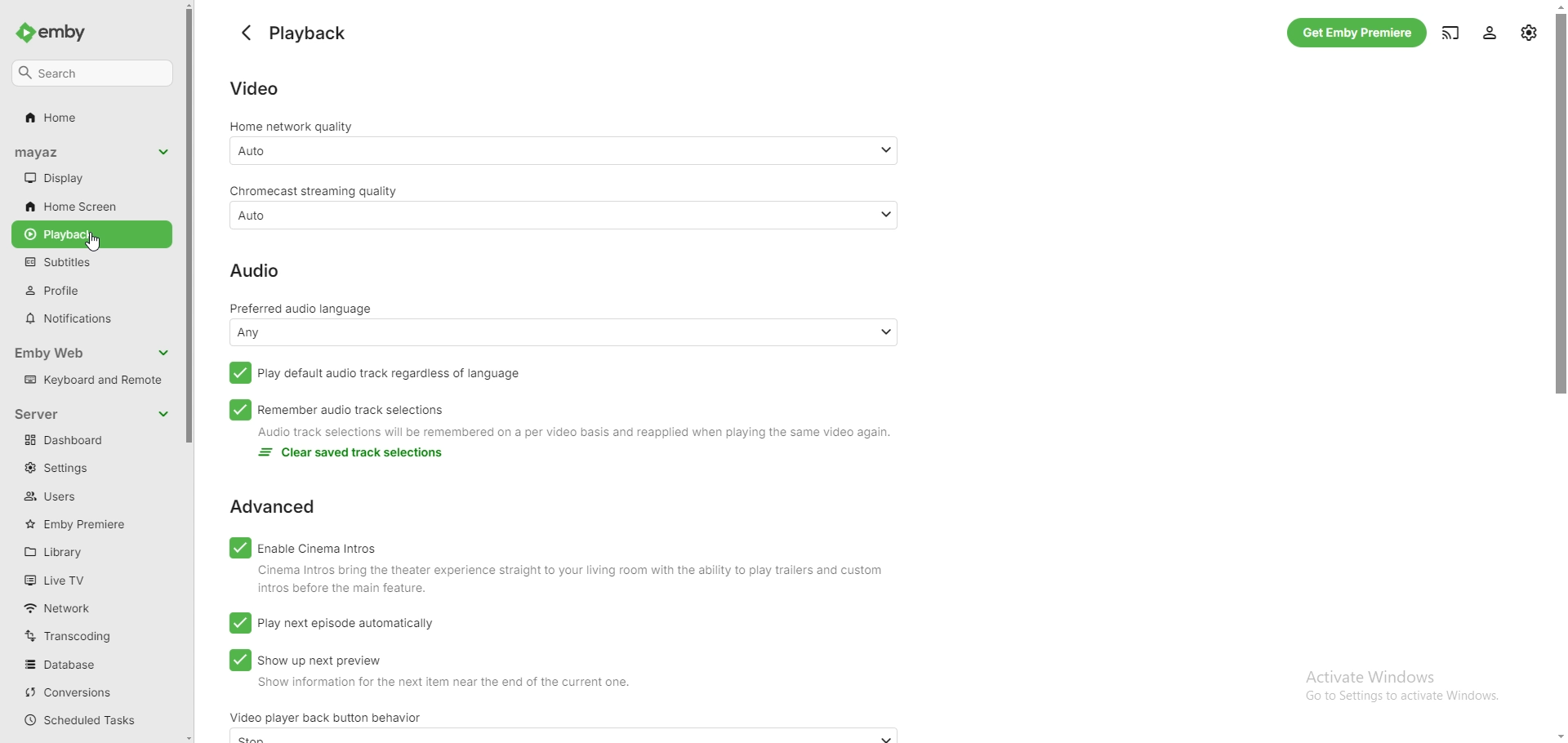  Describe the element at coordinates (163, 413) in the screenshot. I see `collapse` at that location.